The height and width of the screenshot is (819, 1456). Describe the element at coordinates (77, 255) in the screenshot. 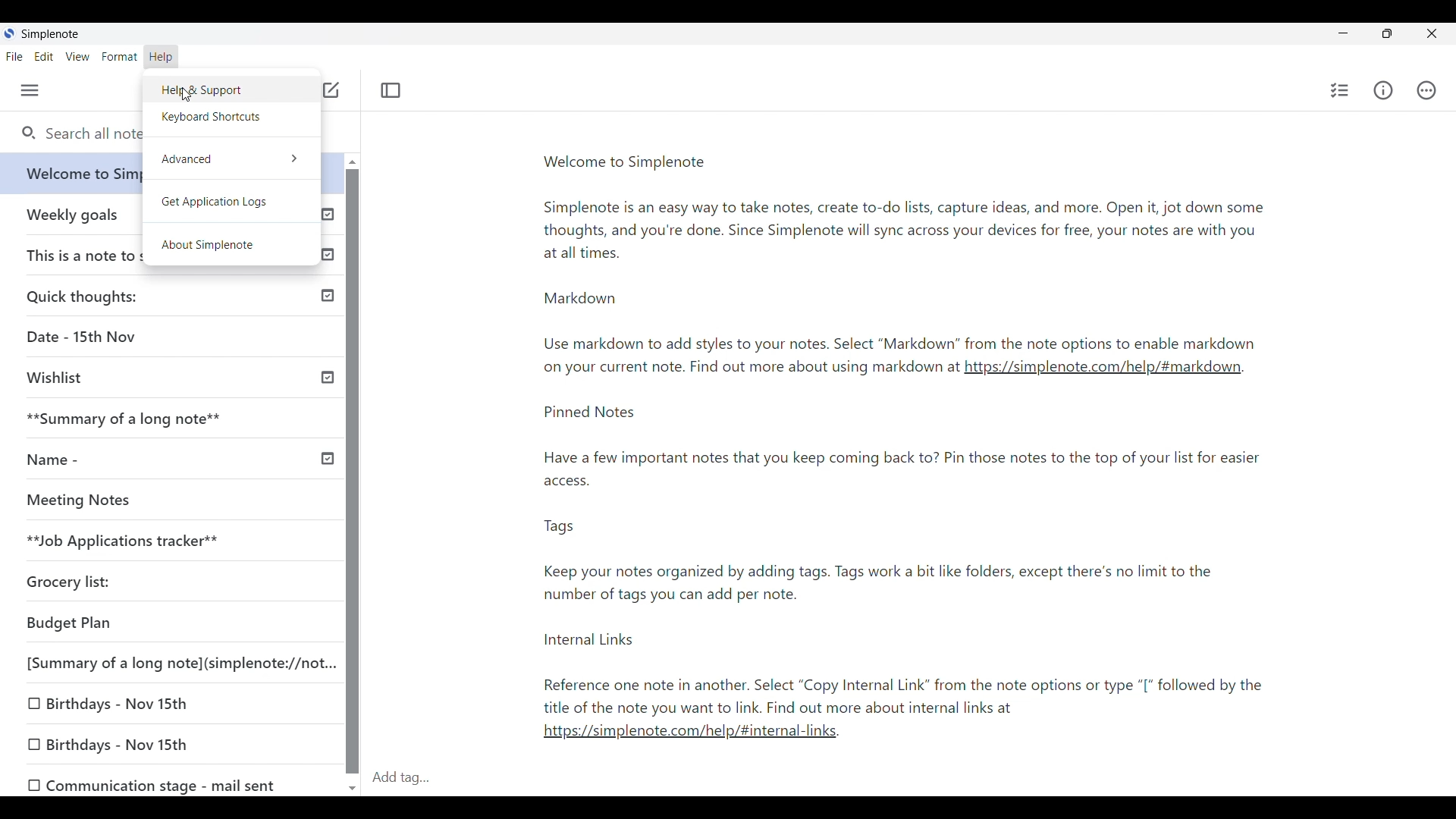

I see `This is a note to self` at that location.